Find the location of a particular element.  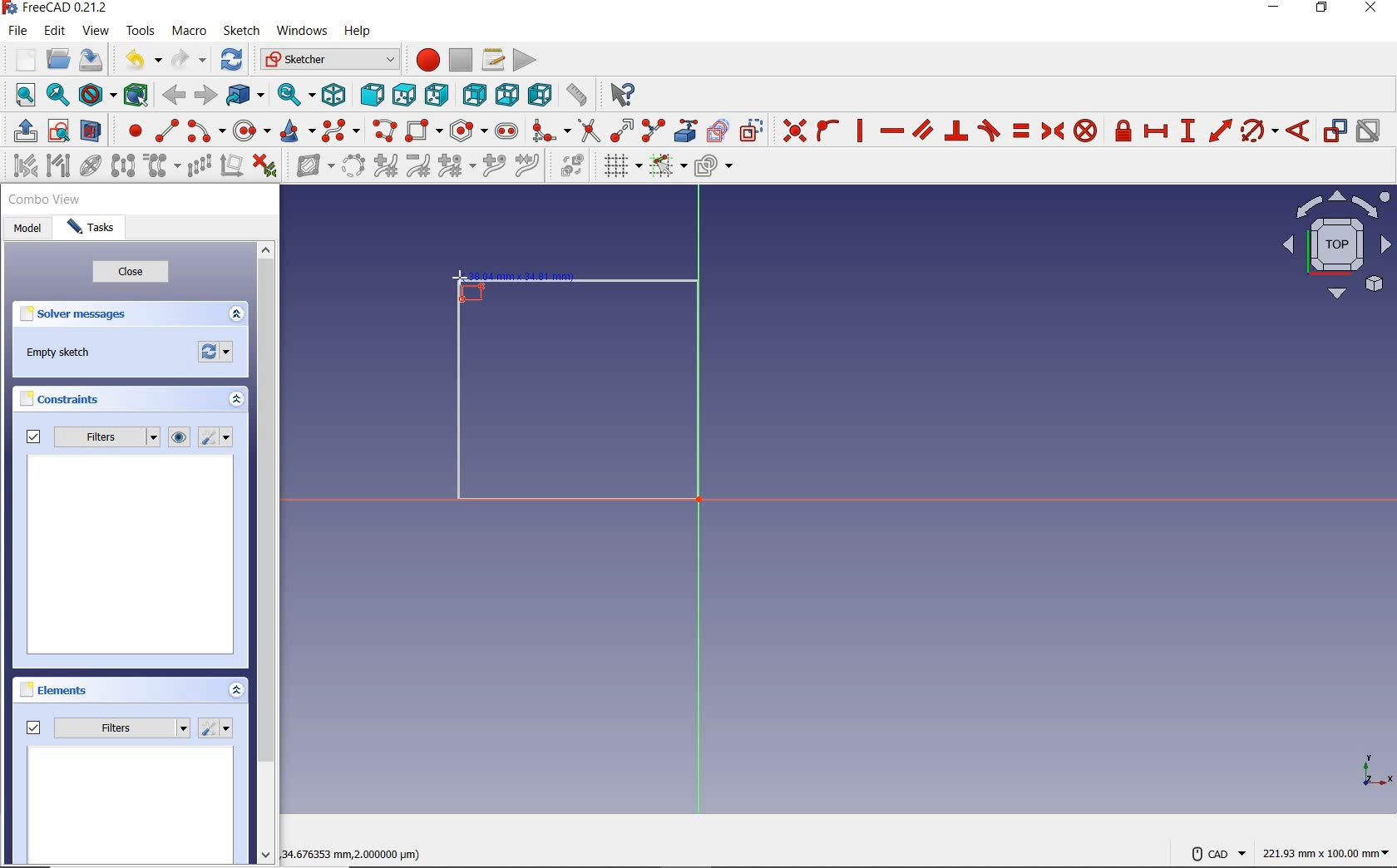

preview is located at coordinates (132, 557).